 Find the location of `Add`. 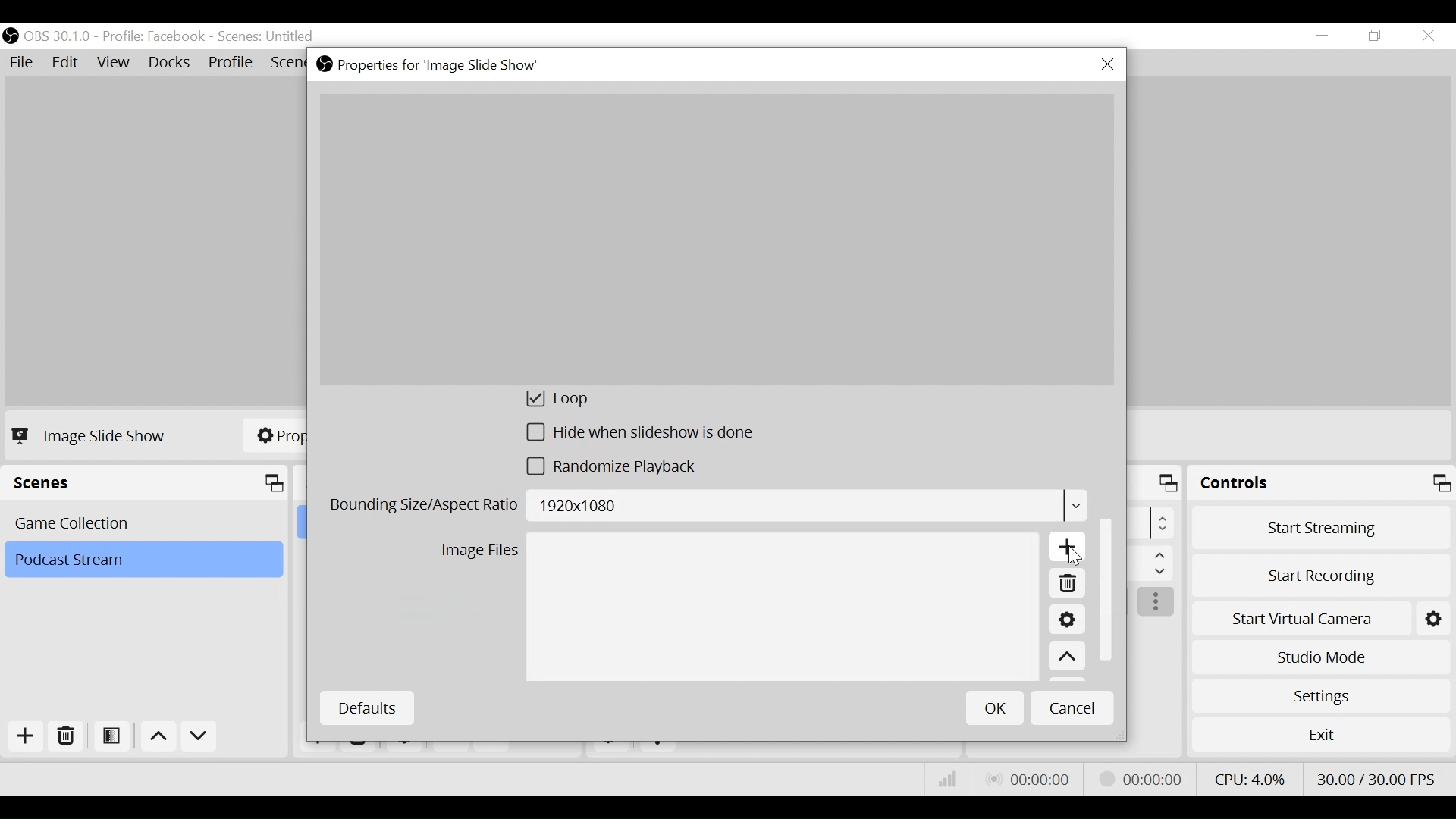

Add is located at coordinates (24, 736).